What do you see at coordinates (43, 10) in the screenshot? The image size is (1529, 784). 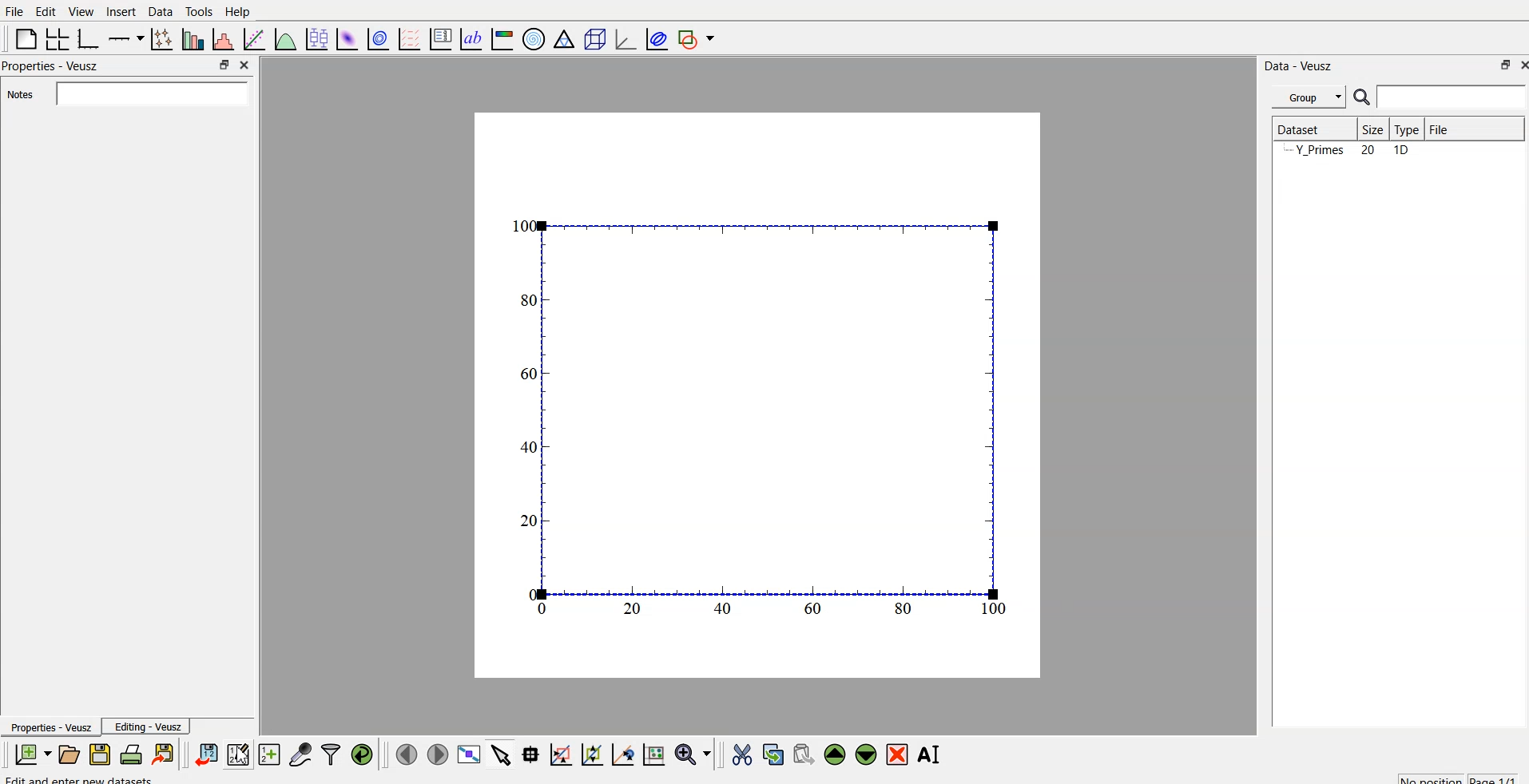 I see `Edit` at bounding box center [43, 10].